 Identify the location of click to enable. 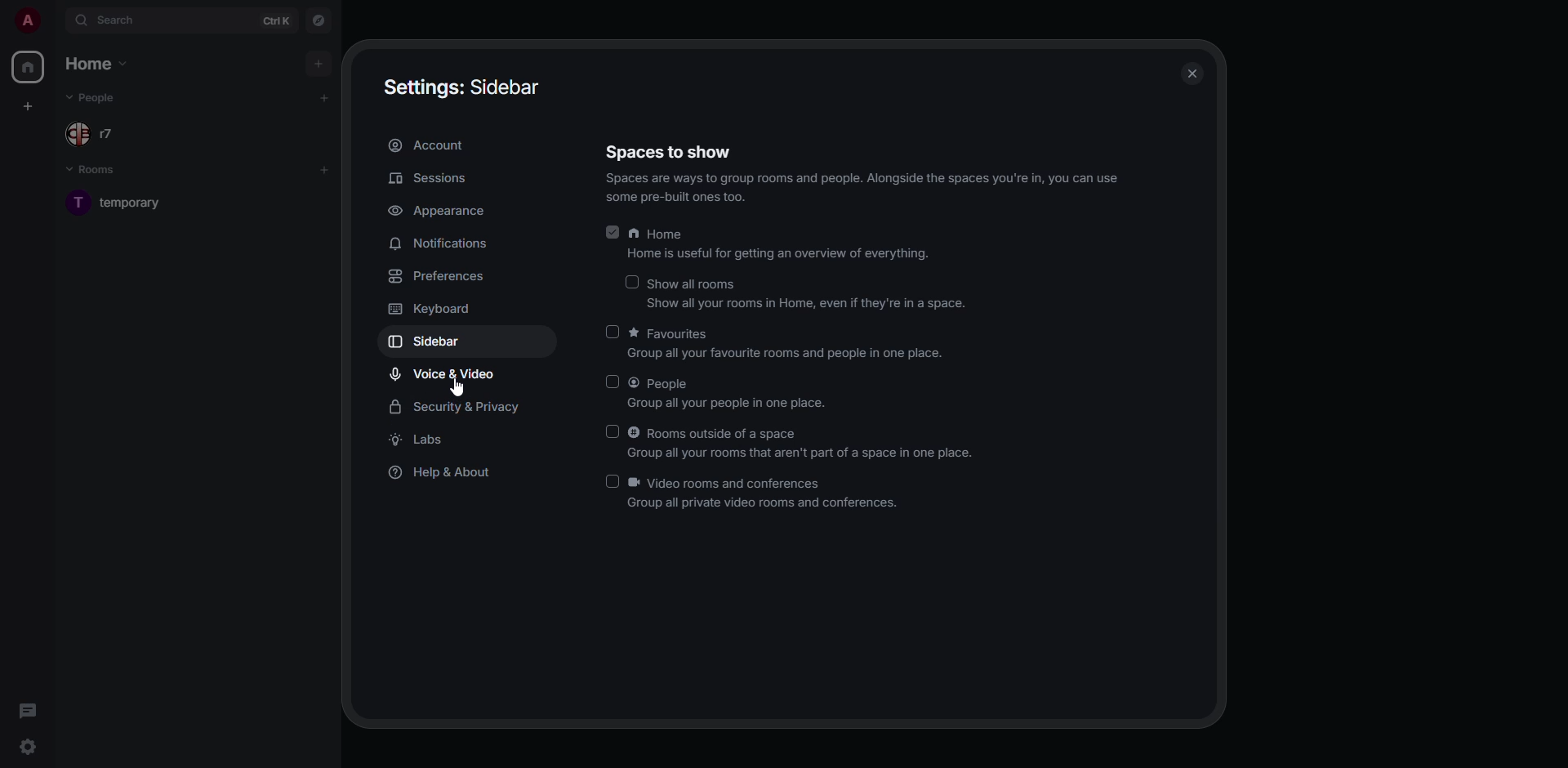
(612, 431).